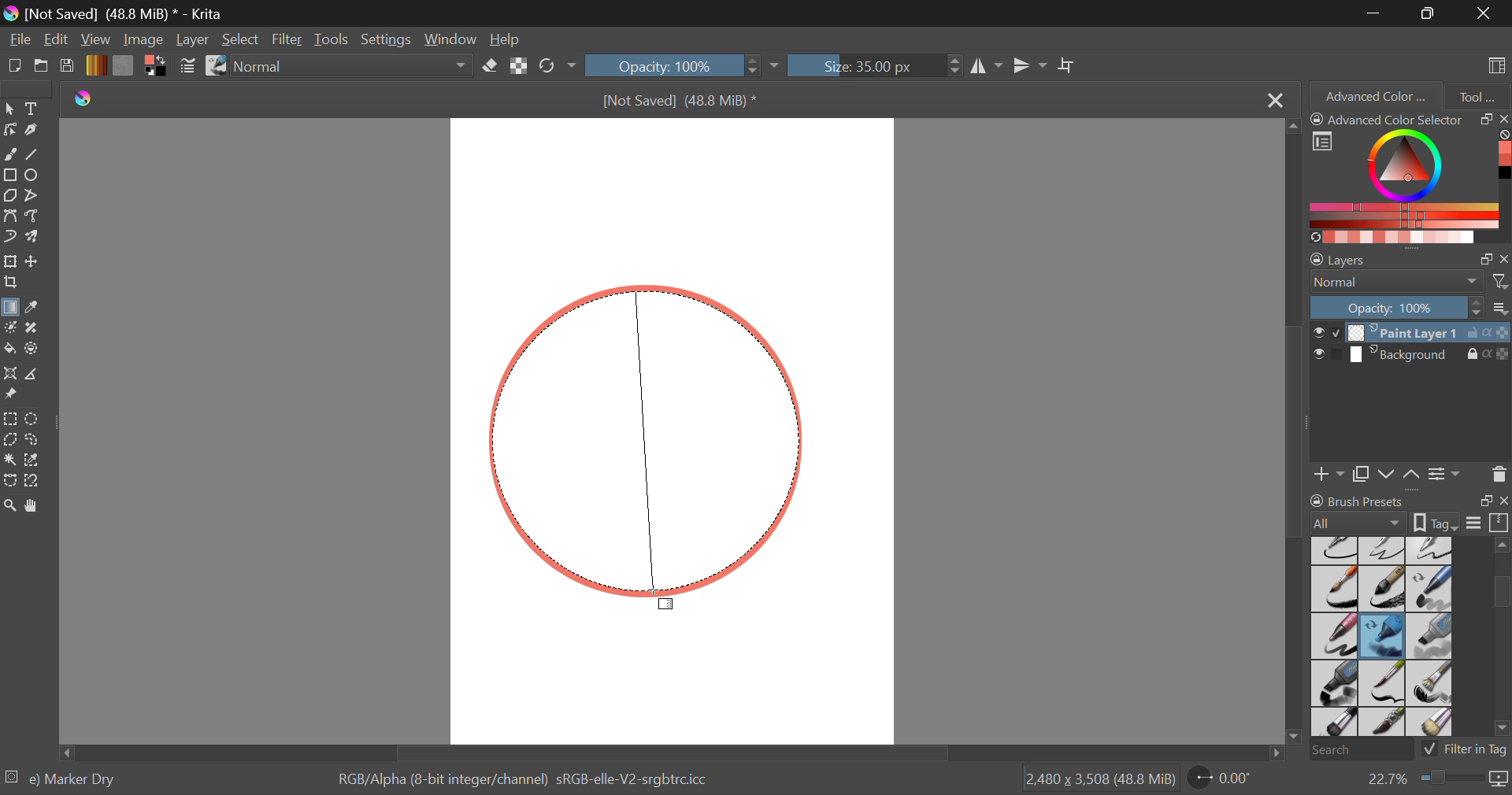 Image resolution: width=1512 pixels, height=795 pixels. I want to click on Magnetic Curve Selection, so click(38, 481).